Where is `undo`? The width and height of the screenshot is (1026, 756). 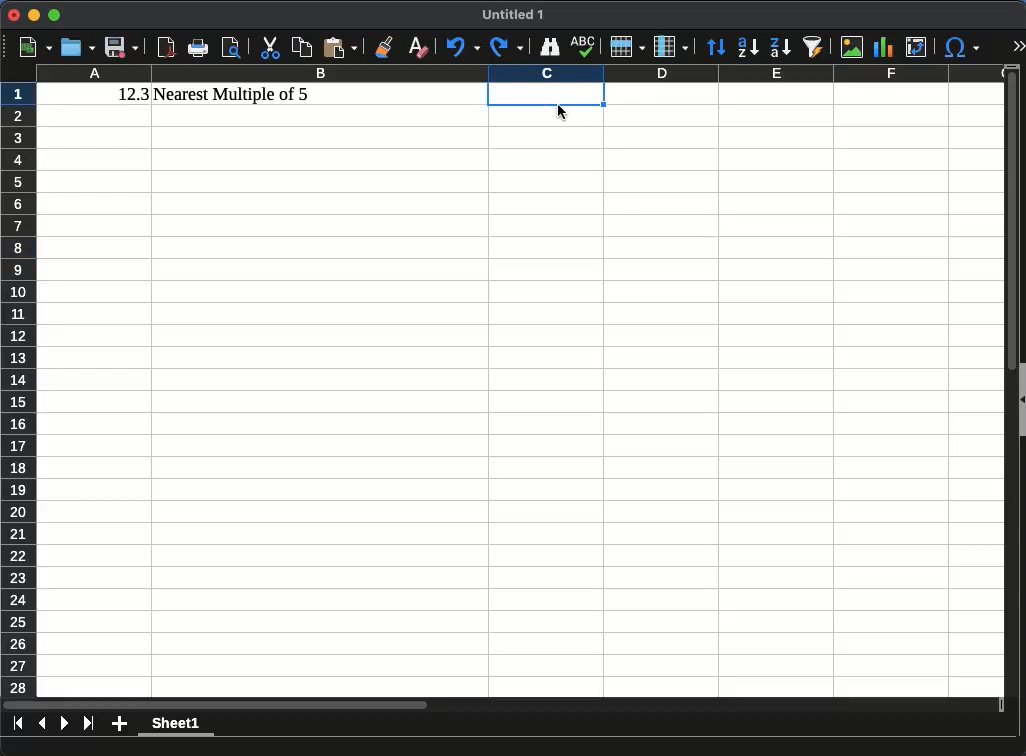
undo is located at coordinates (462, 48).